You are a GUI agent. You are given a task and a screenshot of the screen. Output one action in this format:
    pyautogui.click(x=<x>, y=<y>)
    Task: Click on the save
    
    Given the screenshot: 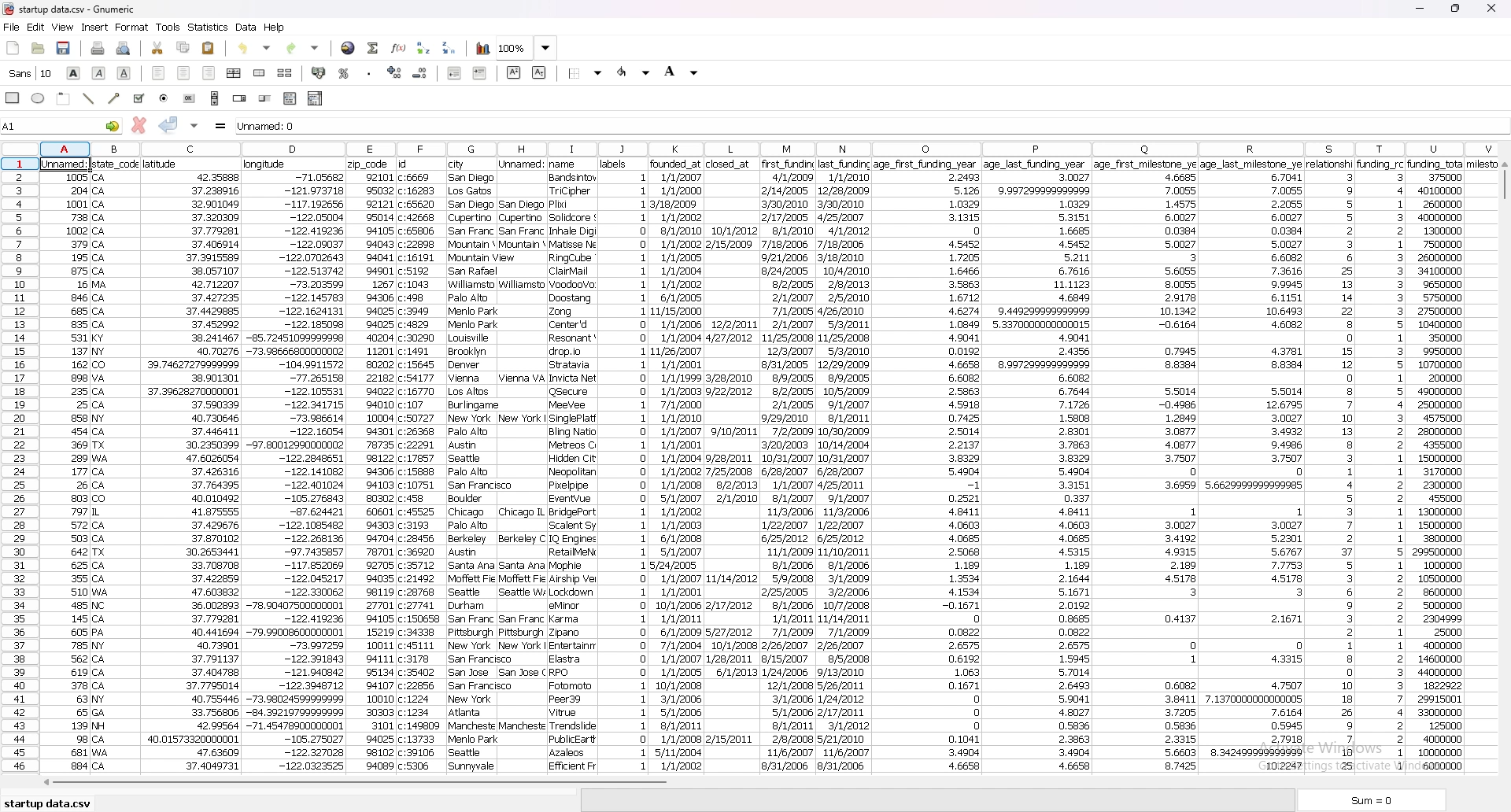 What is the action you would take?
    pyautogui.click(x=65, y=48)
    